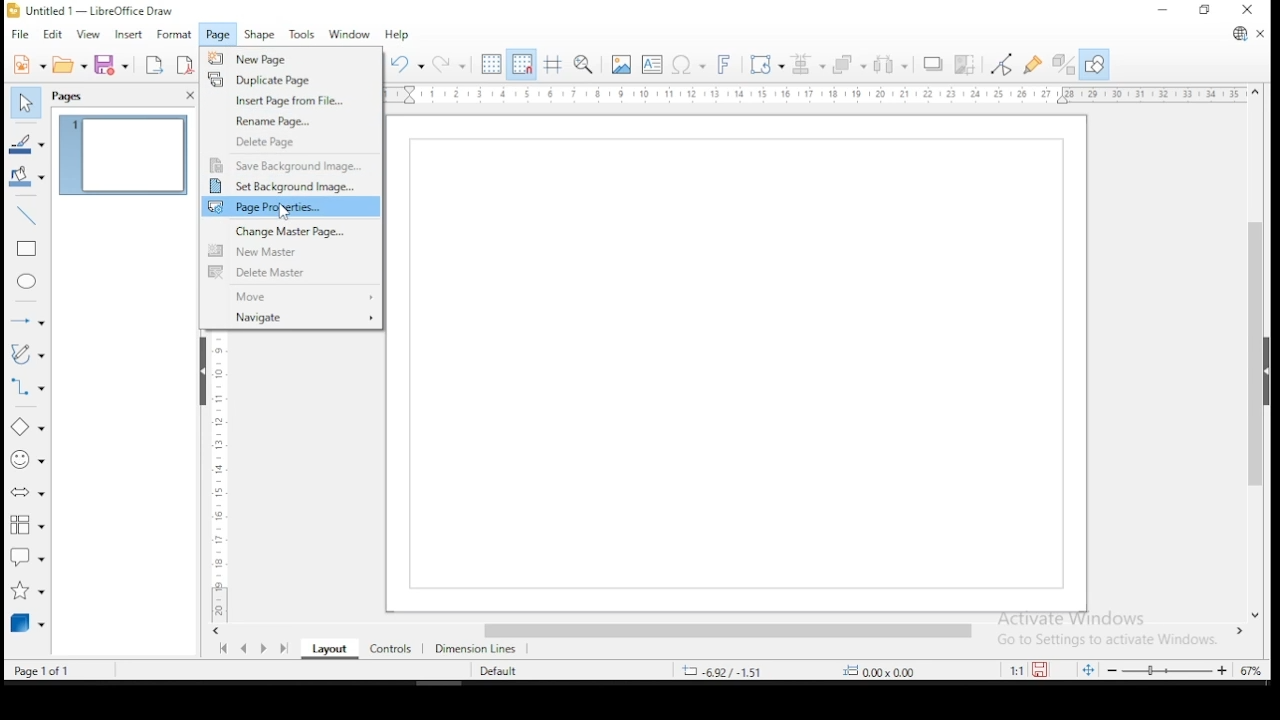  I want to click on save, so click(1045, 669).